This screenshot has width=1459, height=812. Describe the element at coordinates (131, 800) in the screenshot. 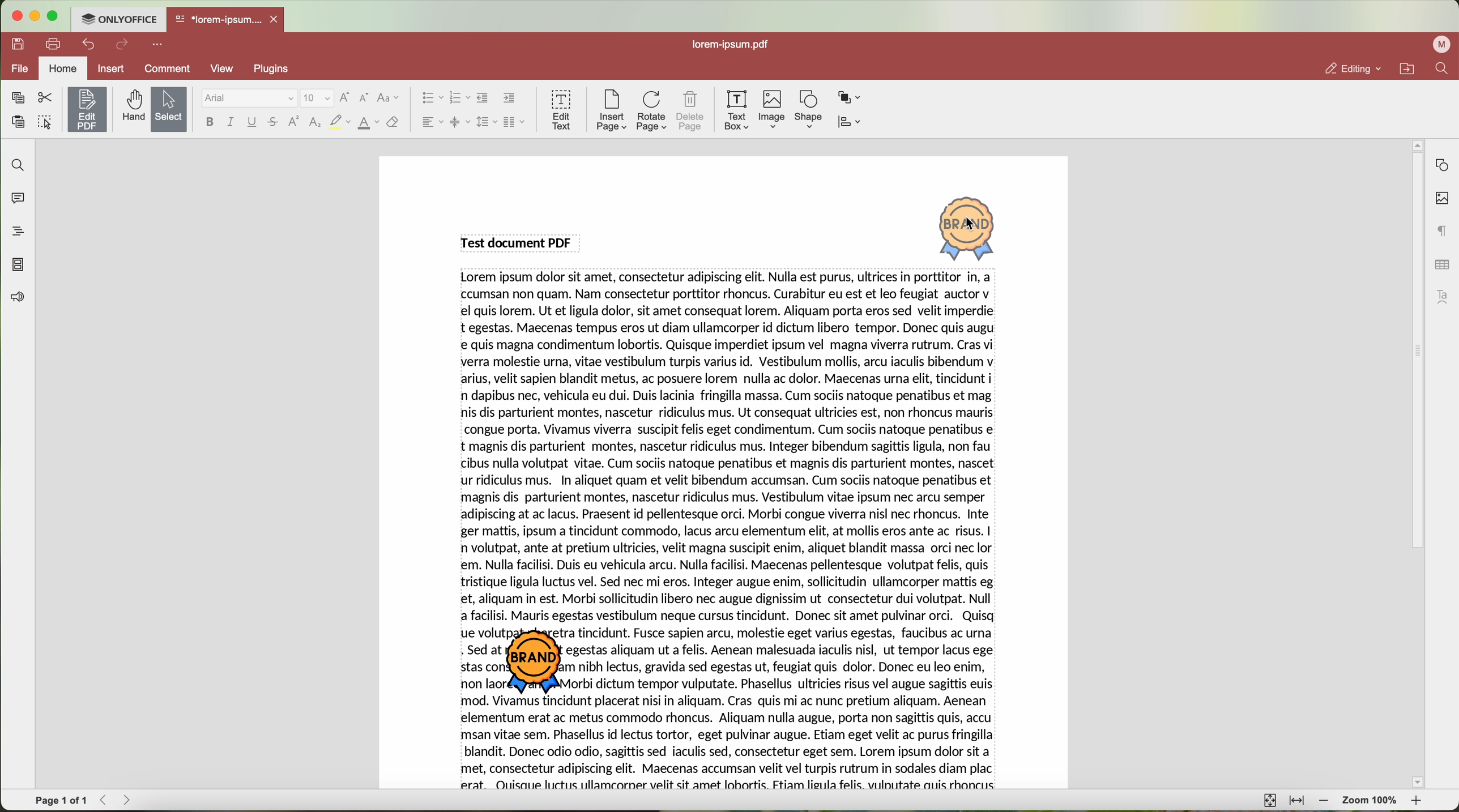

I see `Forward` at that location.